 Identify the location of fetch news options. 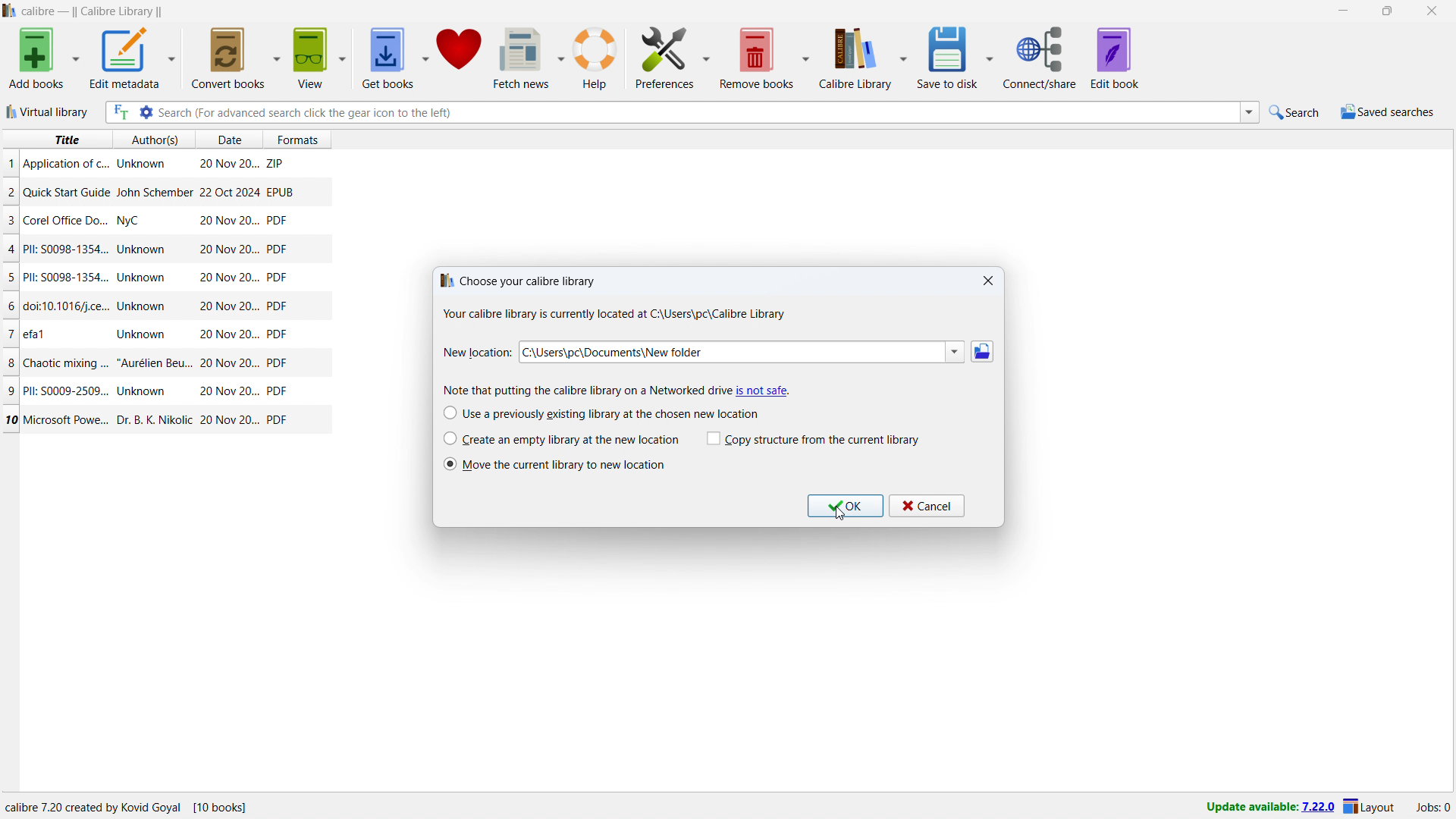
(563, 57).